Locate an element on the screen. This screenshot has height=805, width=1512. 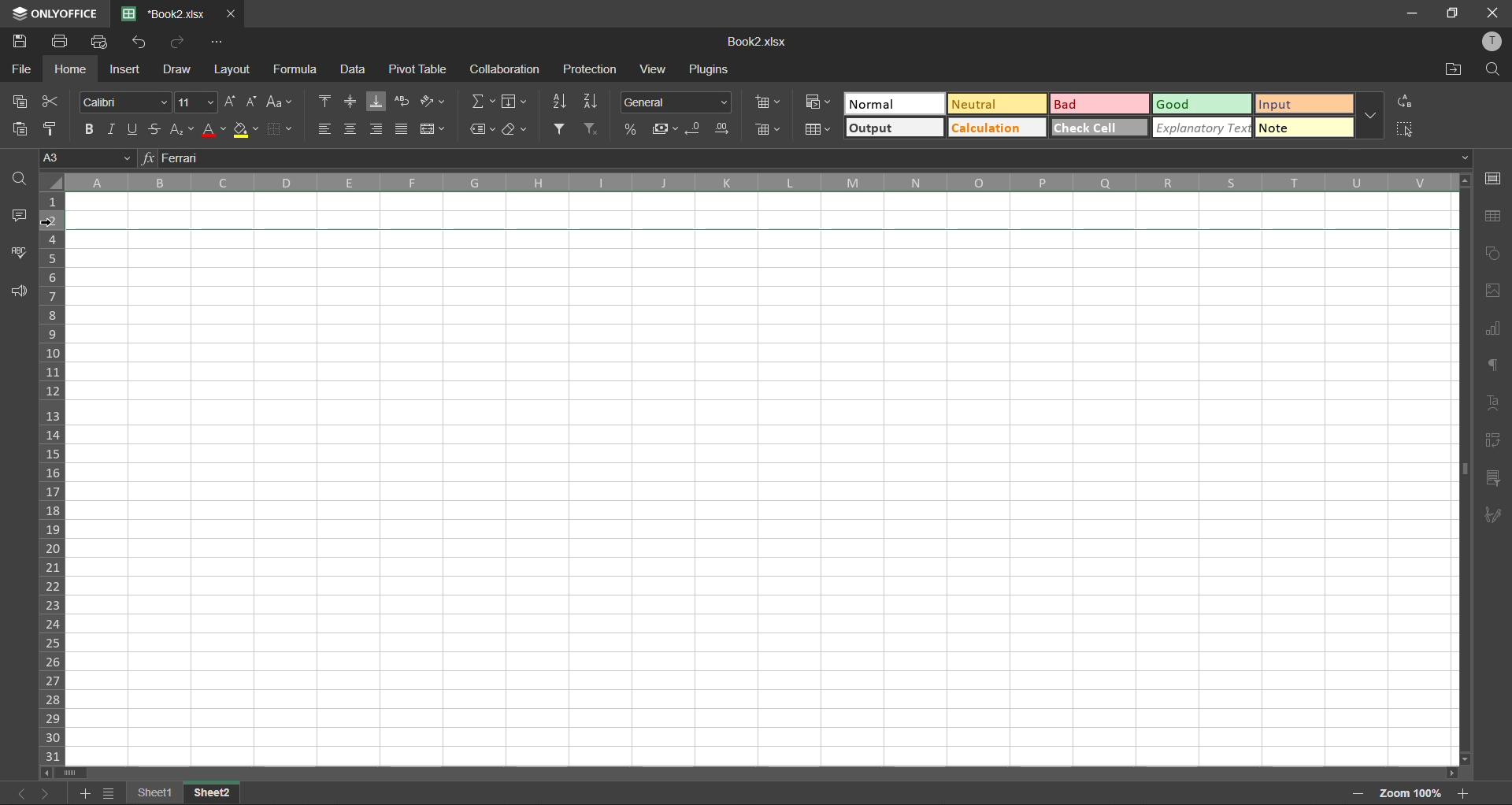
named ranges is located at coordinates (476, 129).